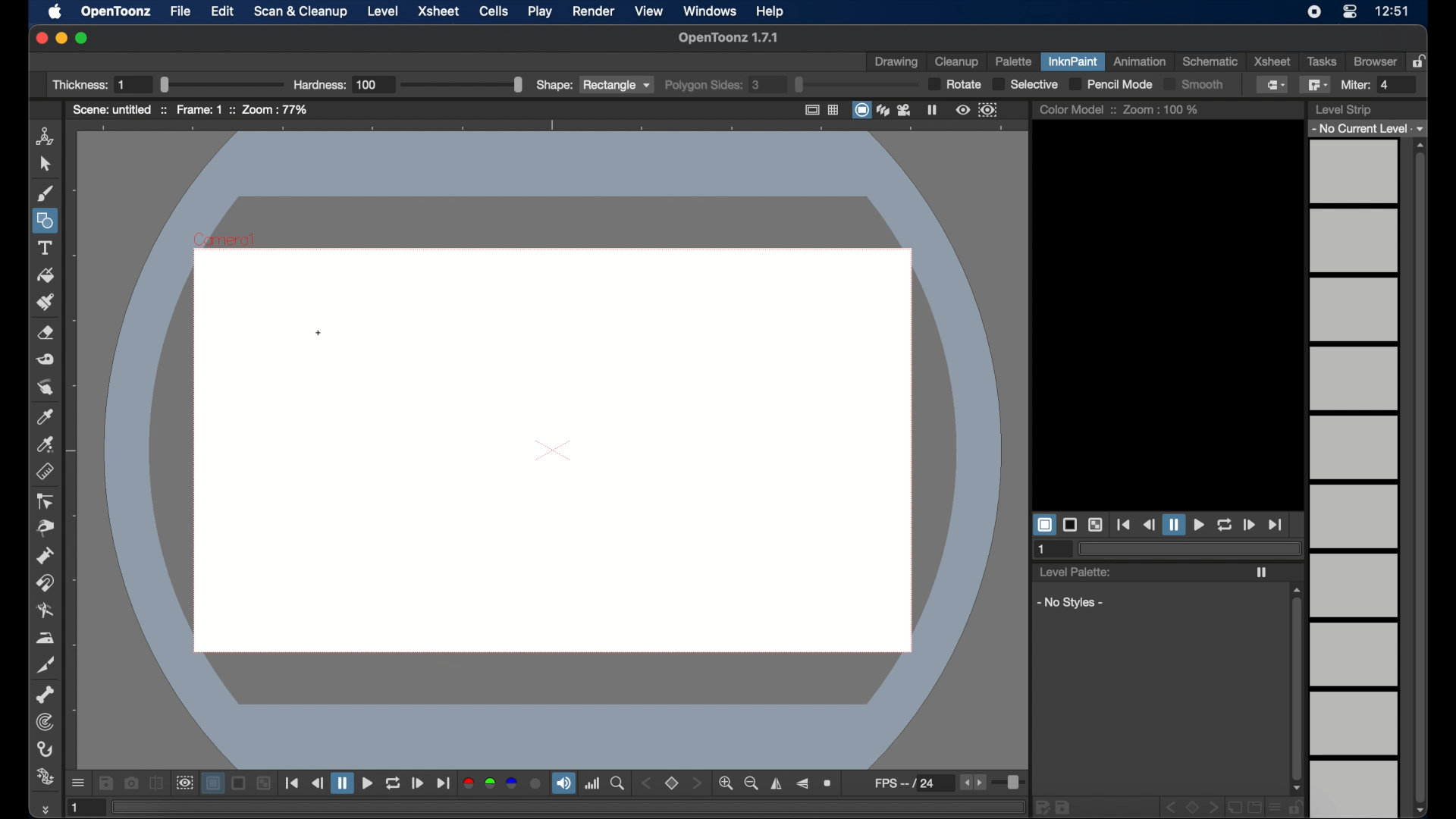 This screenshot has height=819, width=1456. Describe the element at coordinates (46, 221) in the screenshot. I see `shapes` at that location.